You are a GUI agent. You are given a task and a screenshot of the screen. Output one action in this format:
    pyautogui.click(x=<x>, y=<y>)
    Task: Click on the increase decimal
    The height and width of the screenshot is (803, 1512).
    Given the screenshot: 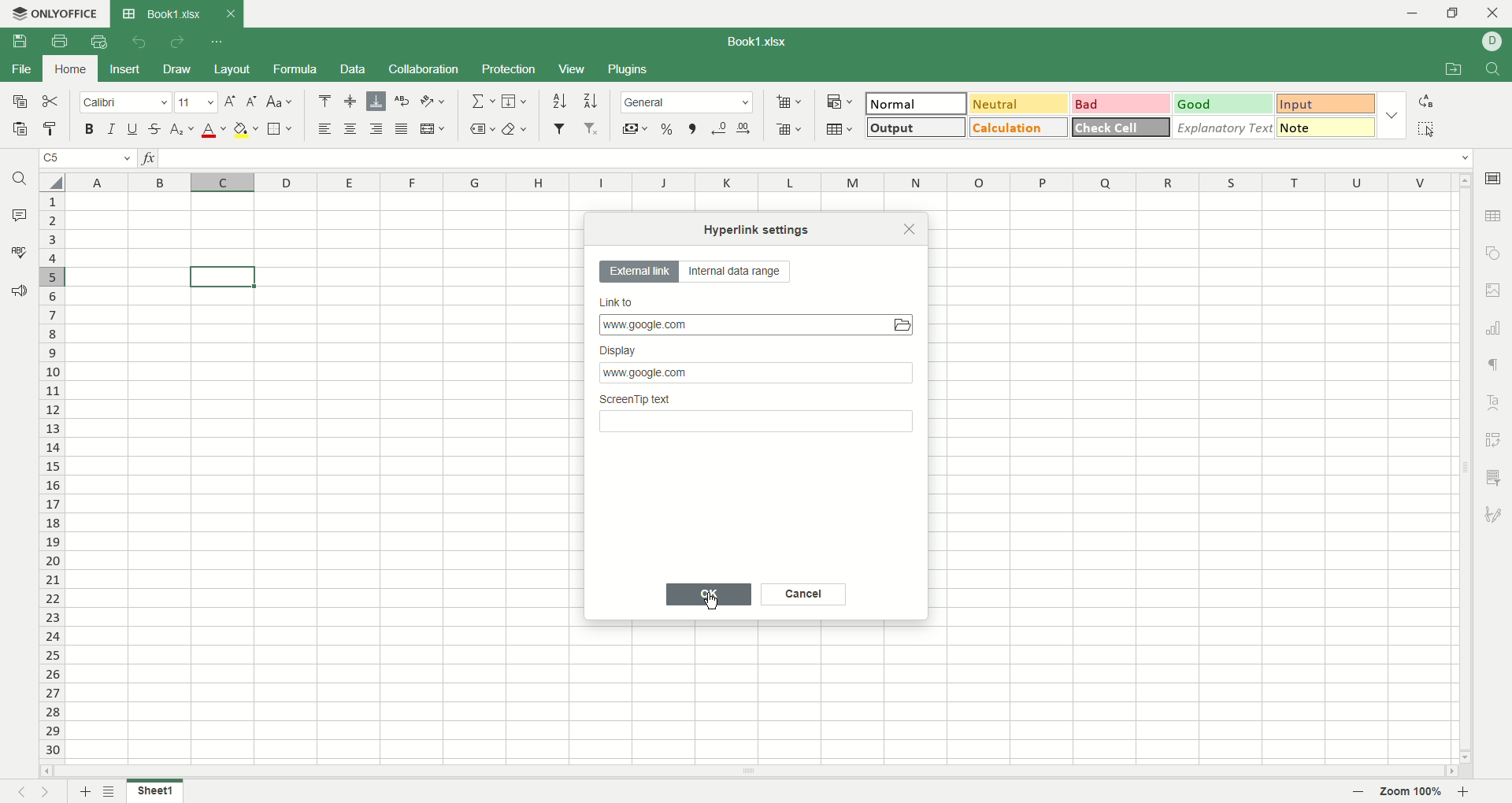 What is the action you would take?
    pyautogui.click(x=748, y=125)
    